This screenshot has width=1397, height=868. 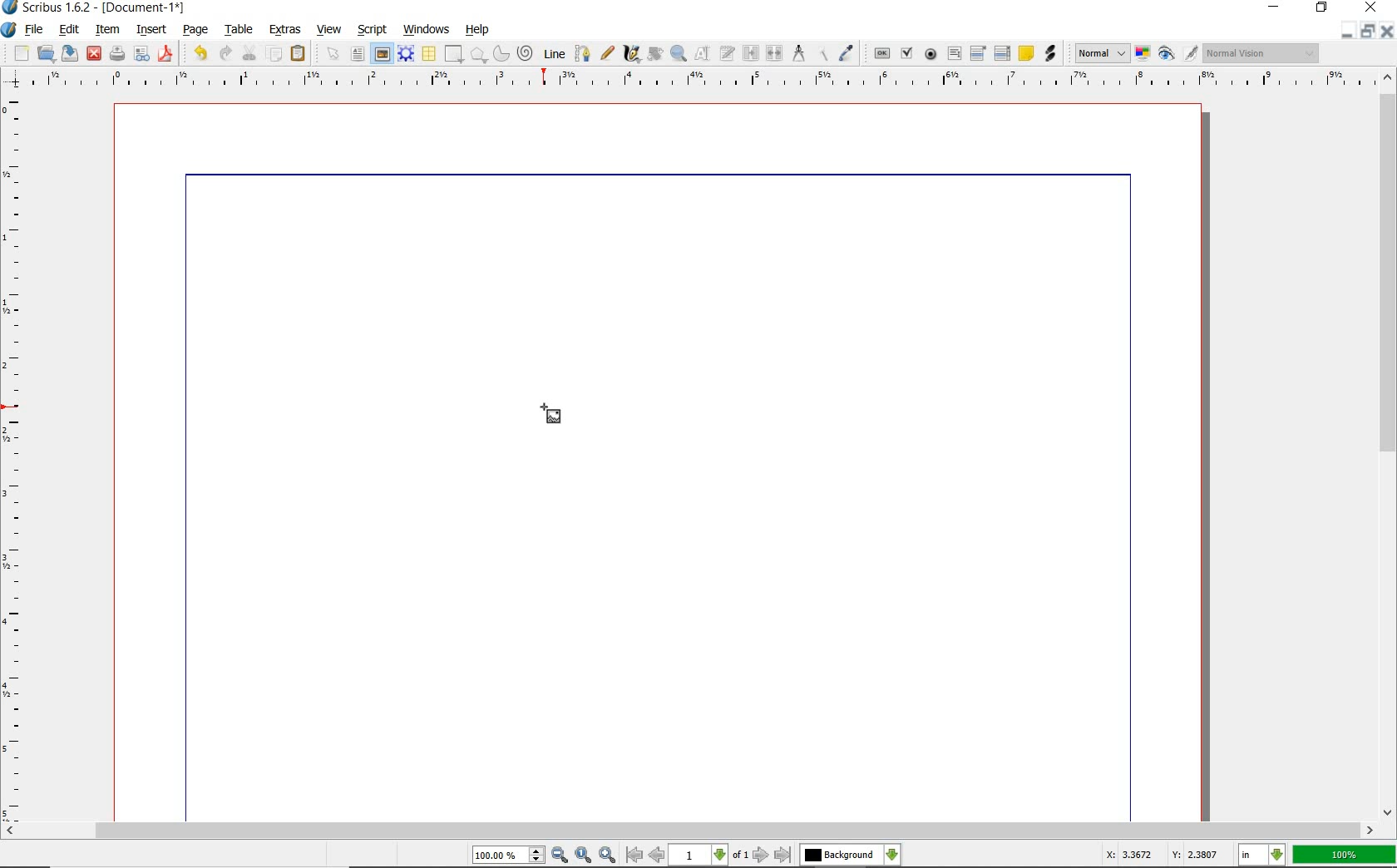 I want to click on cut, so click(x=249, y=53).